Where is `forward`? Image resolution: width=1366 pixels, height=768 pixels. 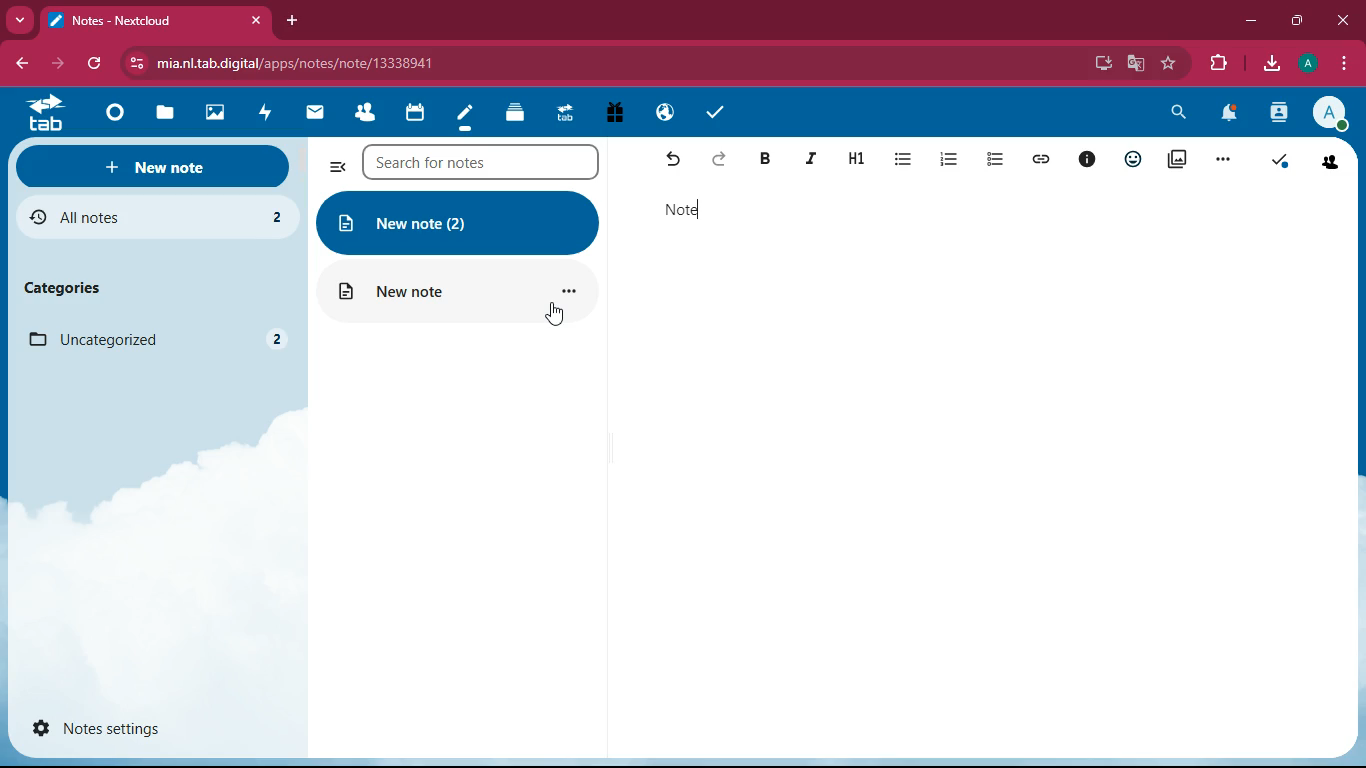 forward is located at coordinates (722, 162).